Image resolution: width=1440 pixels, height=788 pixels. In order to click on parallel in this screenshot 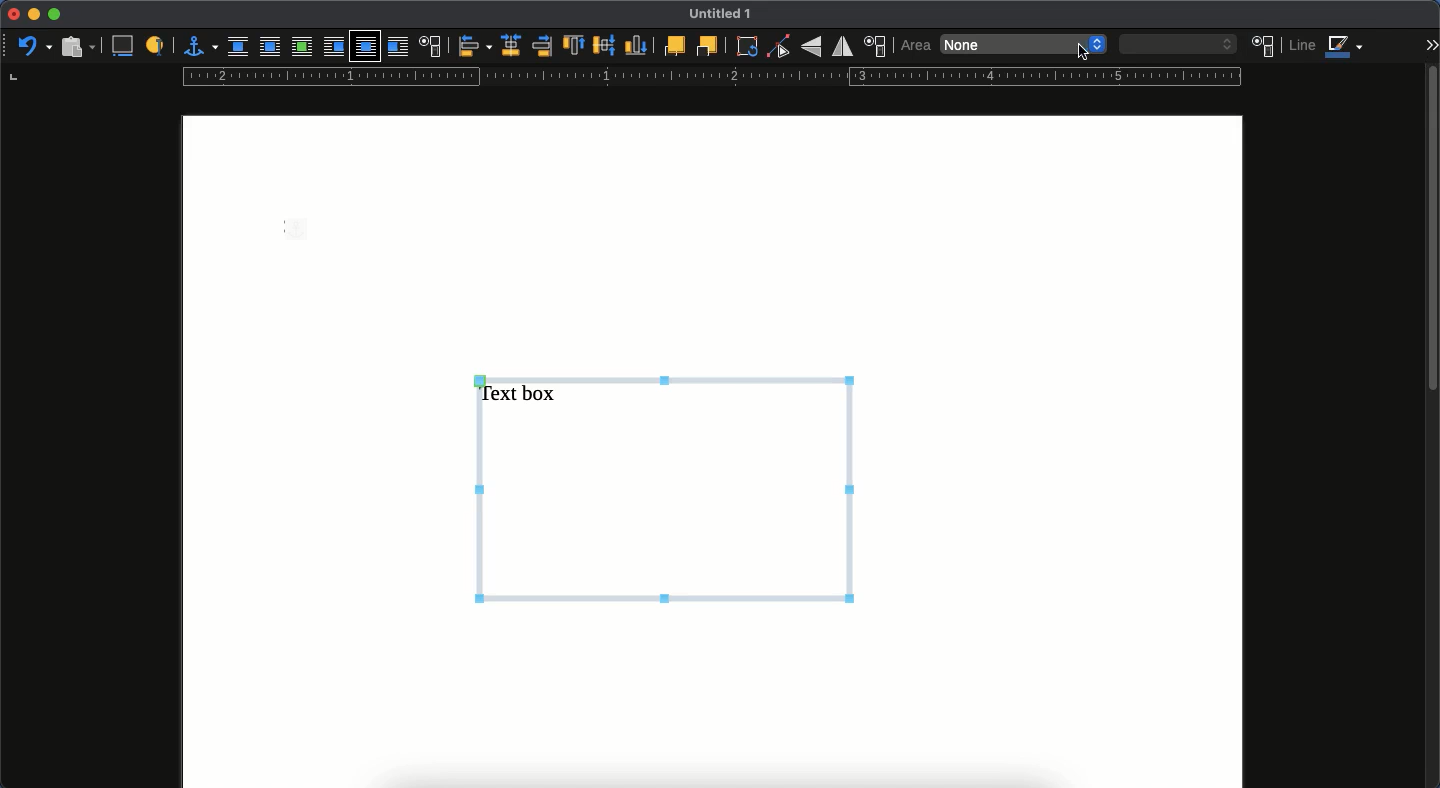, I will do `click(269, 49)`.